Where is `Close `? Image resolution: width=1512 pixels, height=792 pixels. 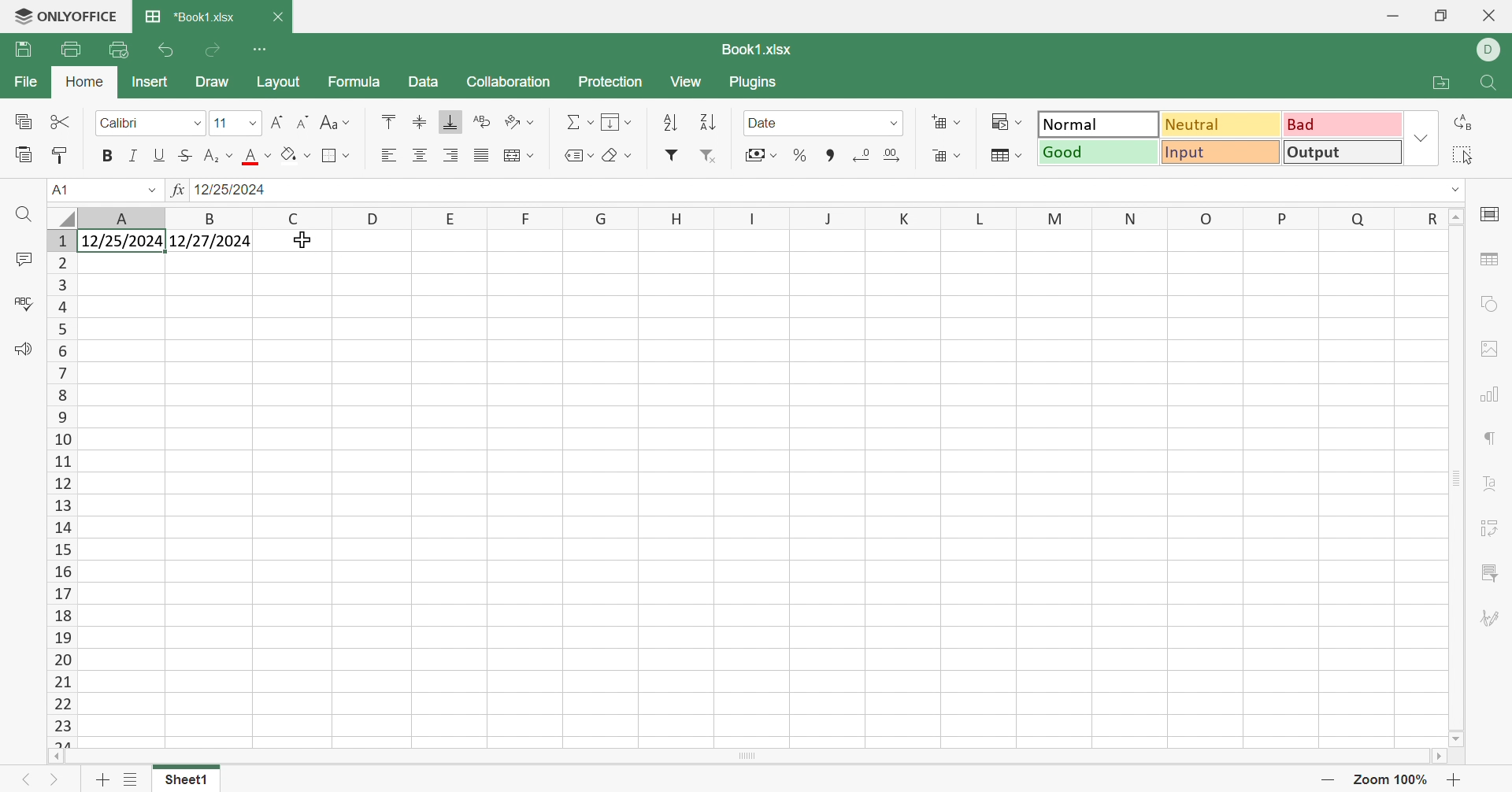 Close  is located at coordinates (1495, 16).